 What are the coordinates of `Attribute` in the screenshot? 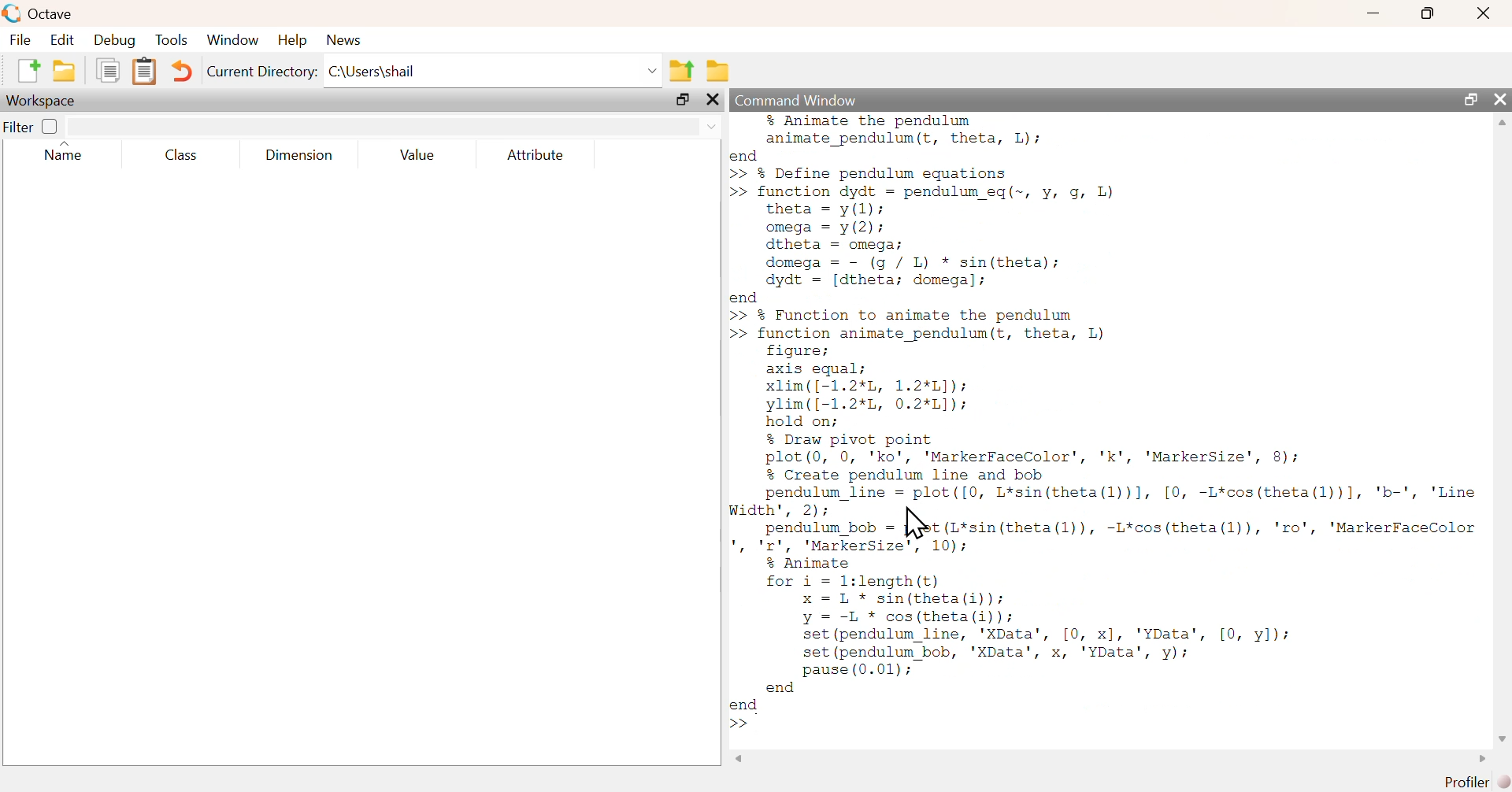 It's located at (537, 156).